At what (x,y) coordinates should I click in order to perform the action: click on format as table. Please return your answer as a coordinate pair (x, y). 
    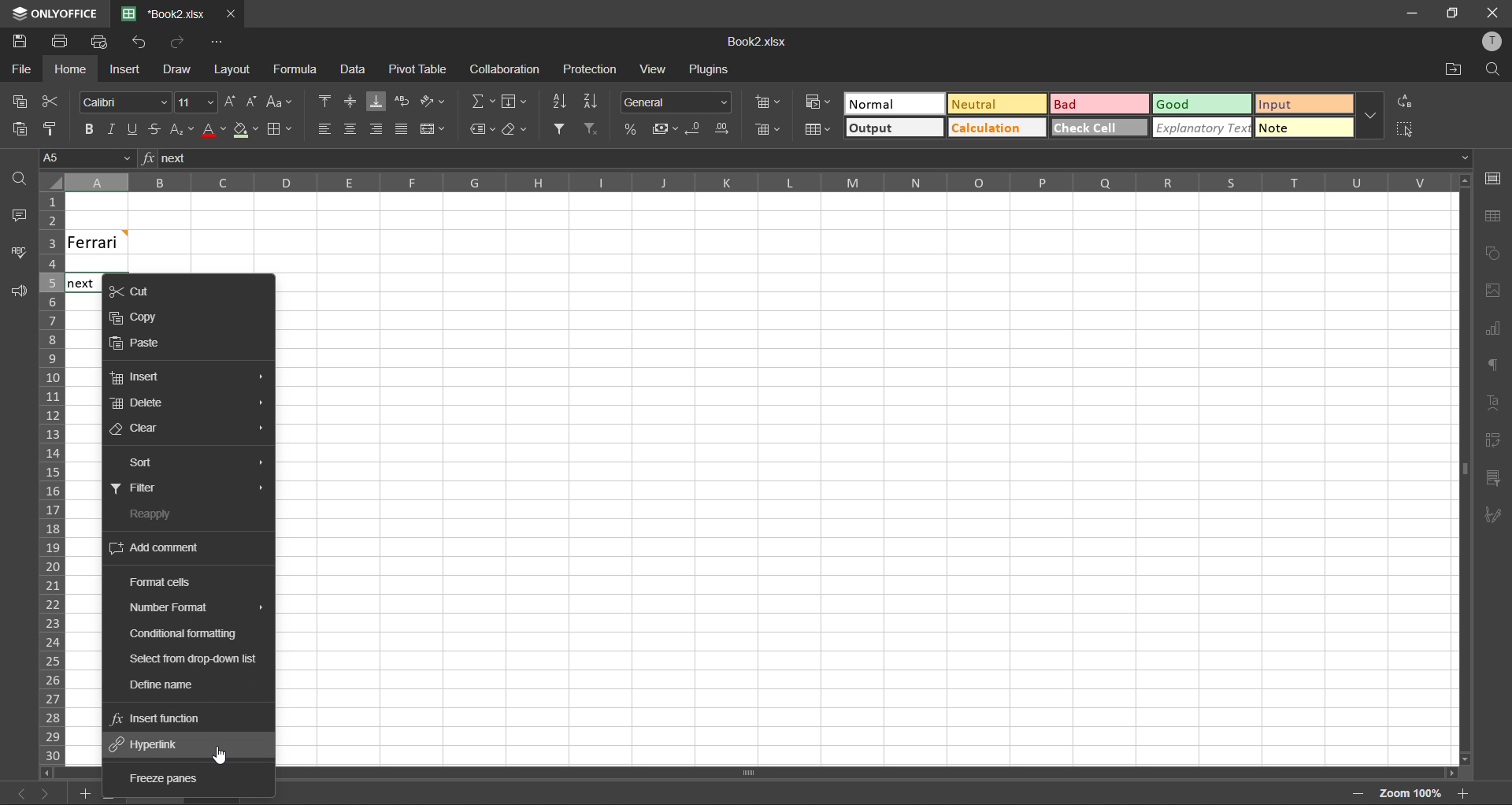
    Looking at the image, I should click on (815, 130).